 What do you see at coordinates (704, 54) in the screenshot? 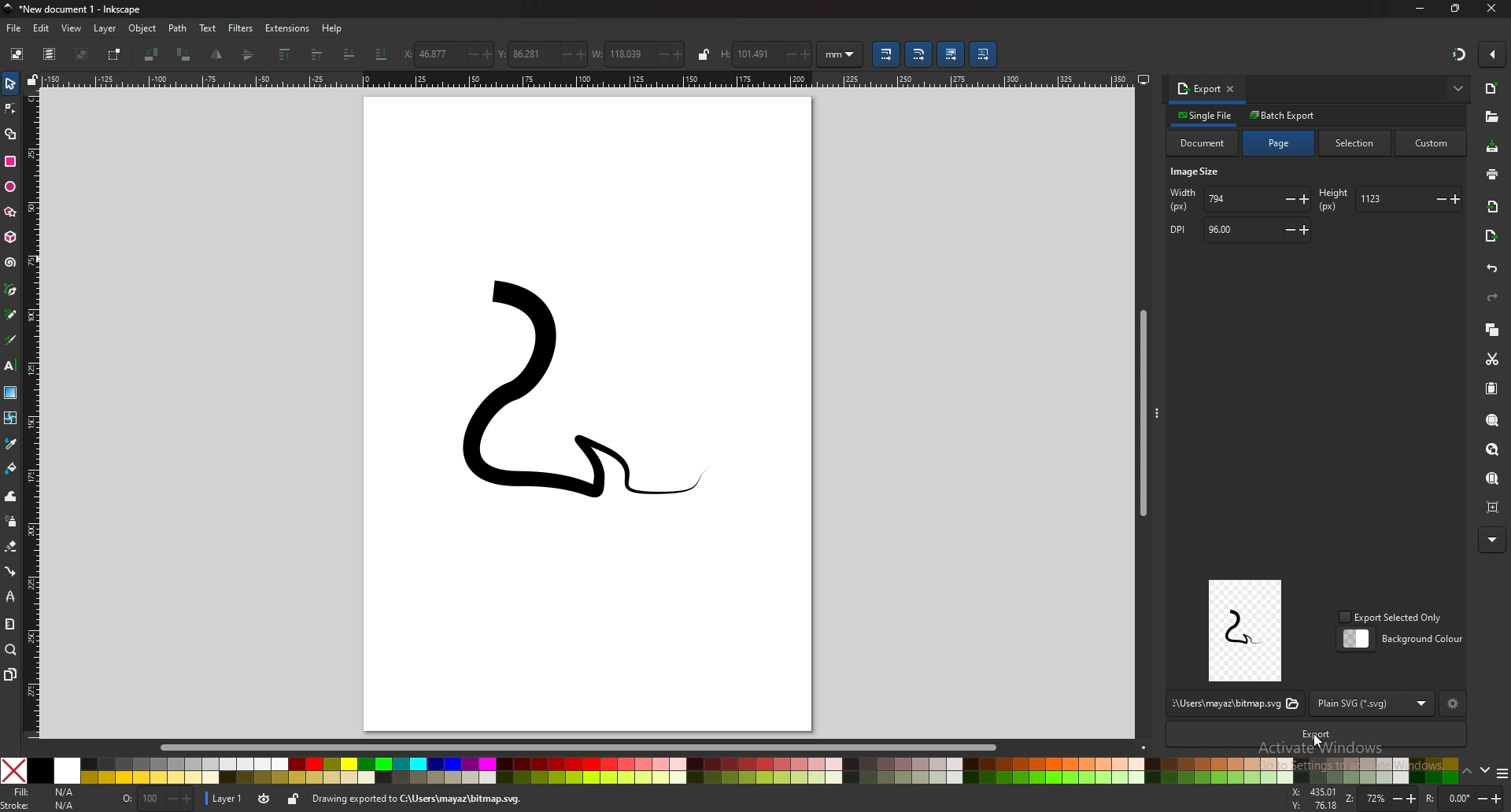
I see `lock` at bounding box center [704, 54].